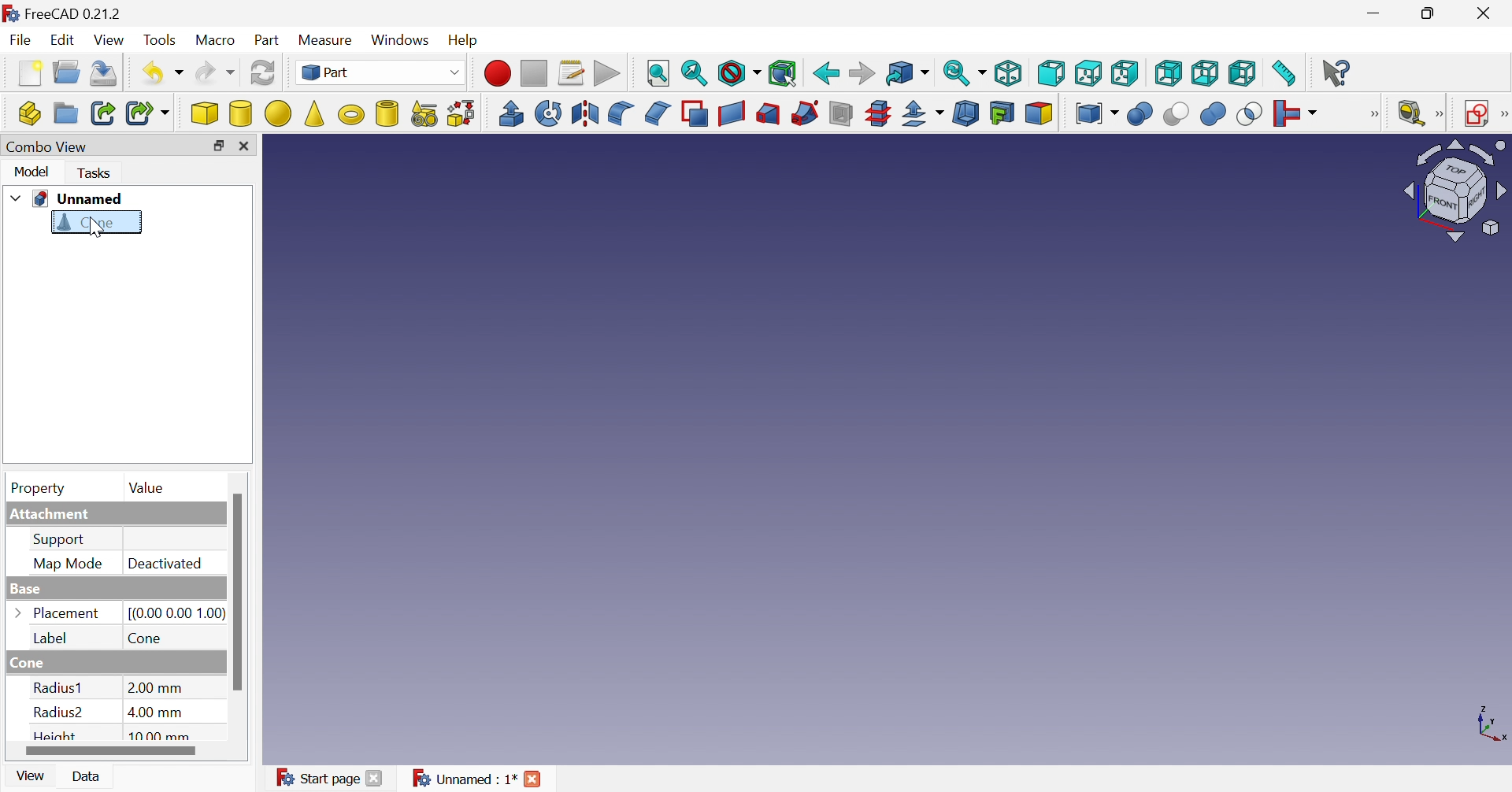  I want to click on Back, so click(825, 72).